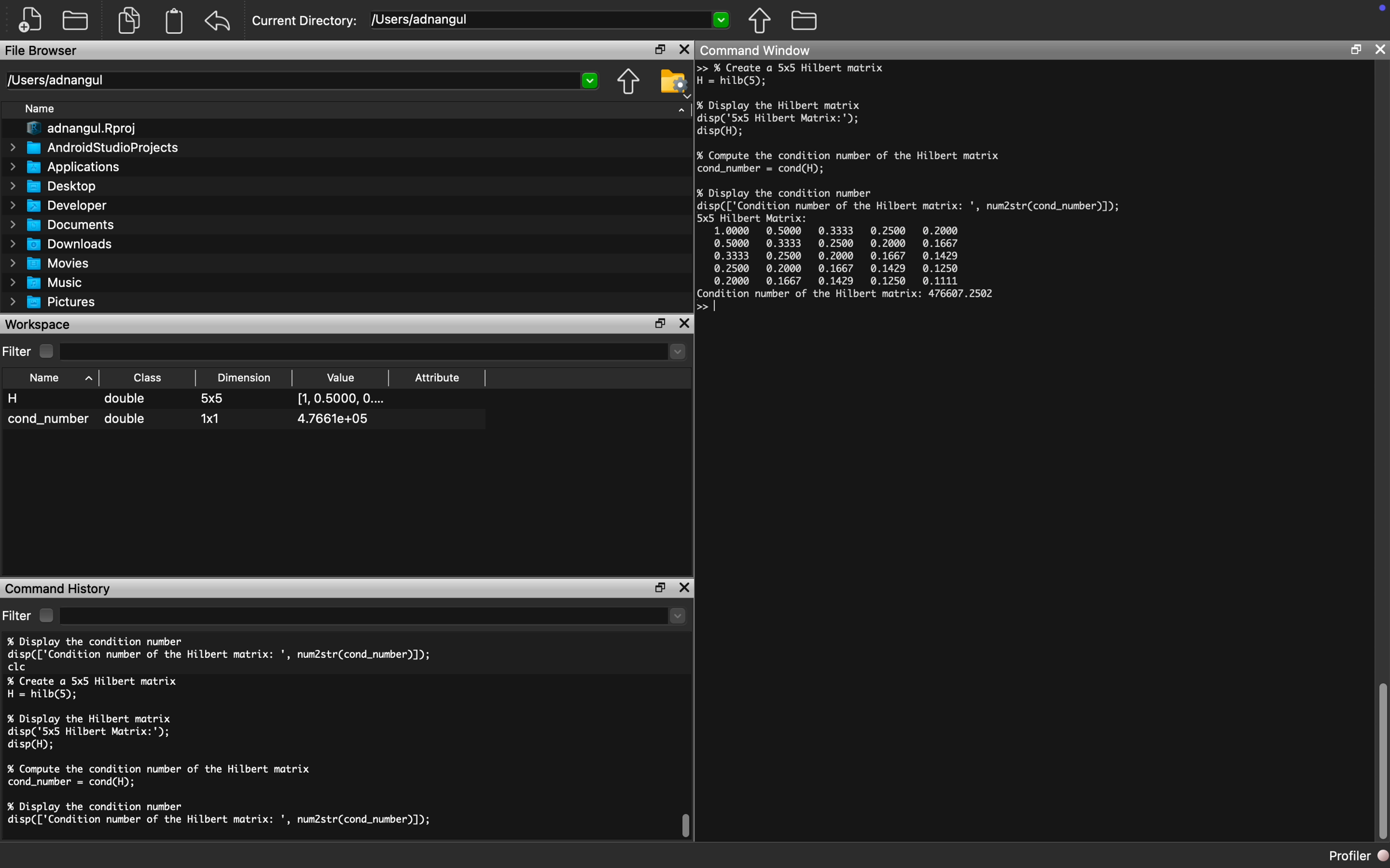  I want to click on % Display the condition number
disp(['Condition number of the Hilbert matrix: ', num2str(cond_number)]);, so click(221, 814).